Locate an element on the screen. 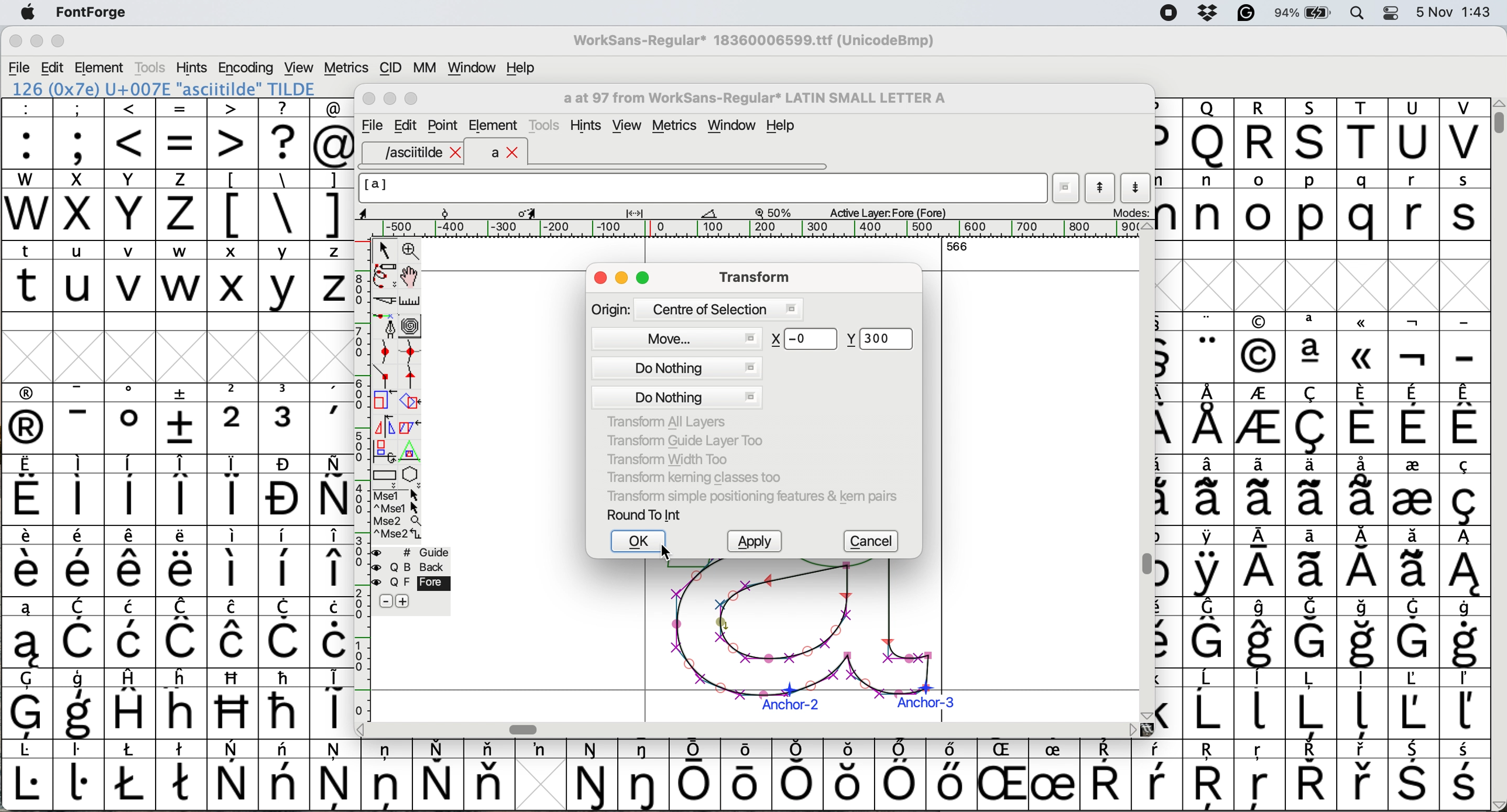 This screenshot has height=812, width=1507. symbol is located at coordinates (1365, 705).